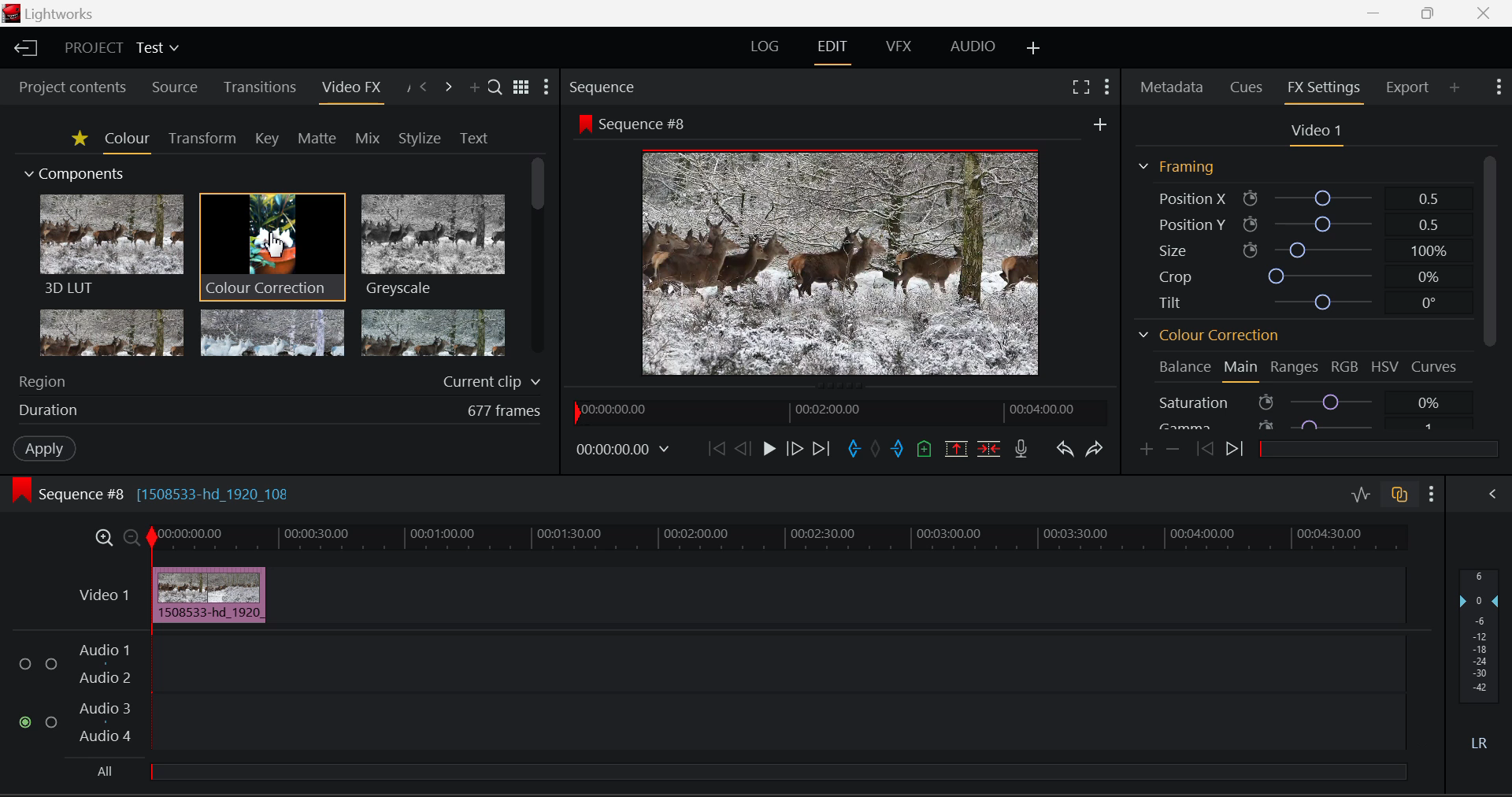 This screenshot has width=1512, height=797. I want to click on Cursor MOUSE_DOWN on Colour Correction, so click(272, 246).